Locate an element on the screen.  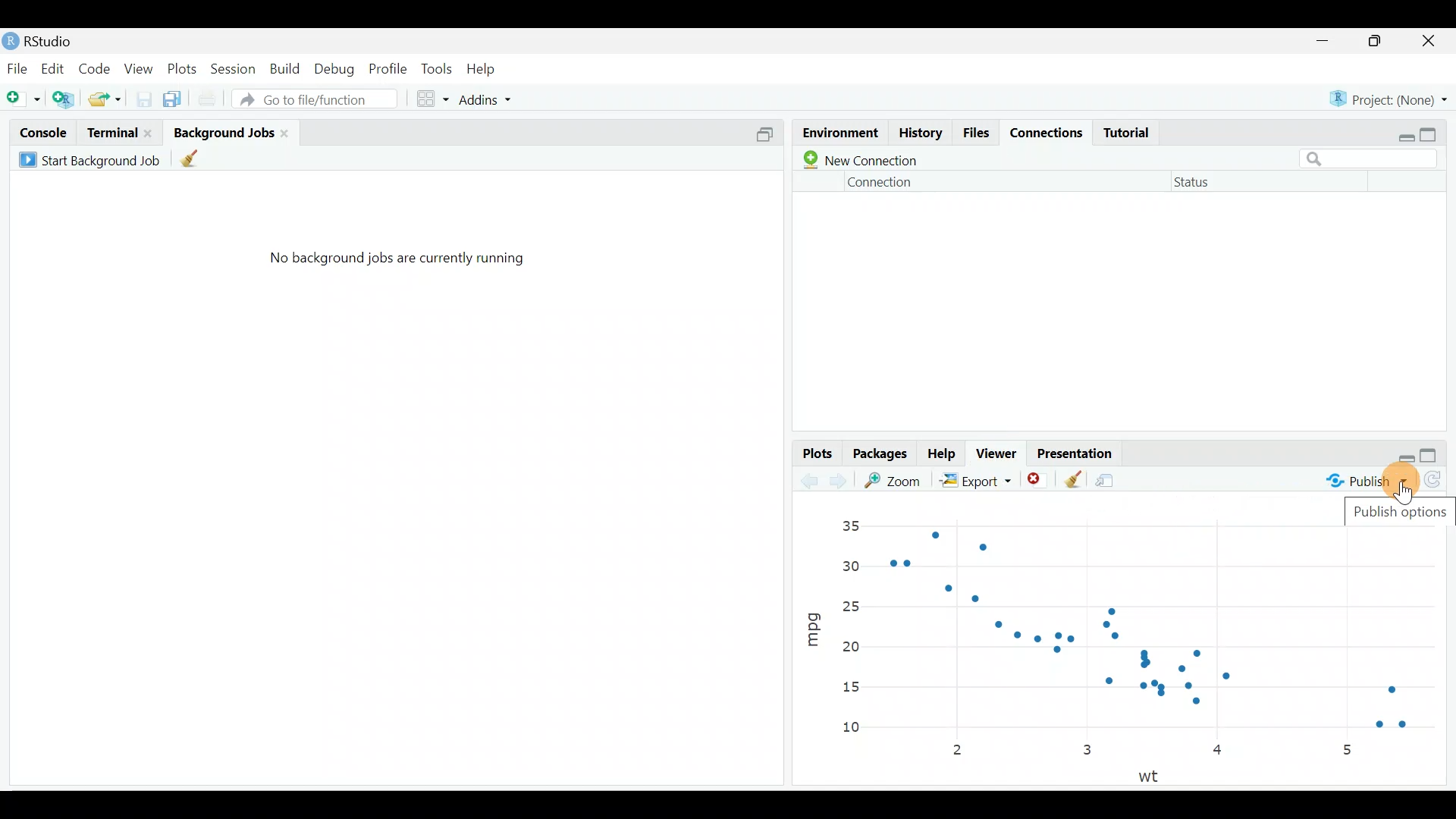
File is located at coordinates (17, 67).